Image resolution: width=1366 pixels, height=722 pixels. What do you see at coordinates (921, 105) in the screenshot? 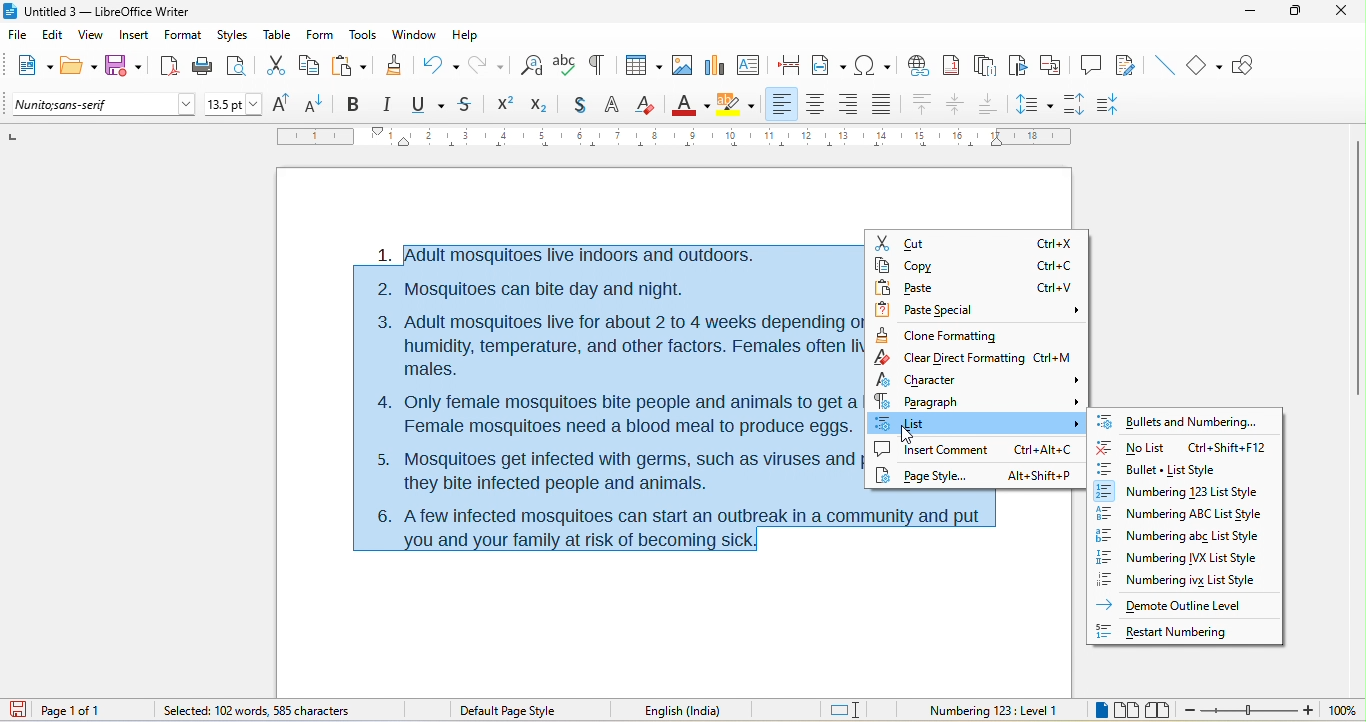
I see `align top` at bounding box center [921, 105].